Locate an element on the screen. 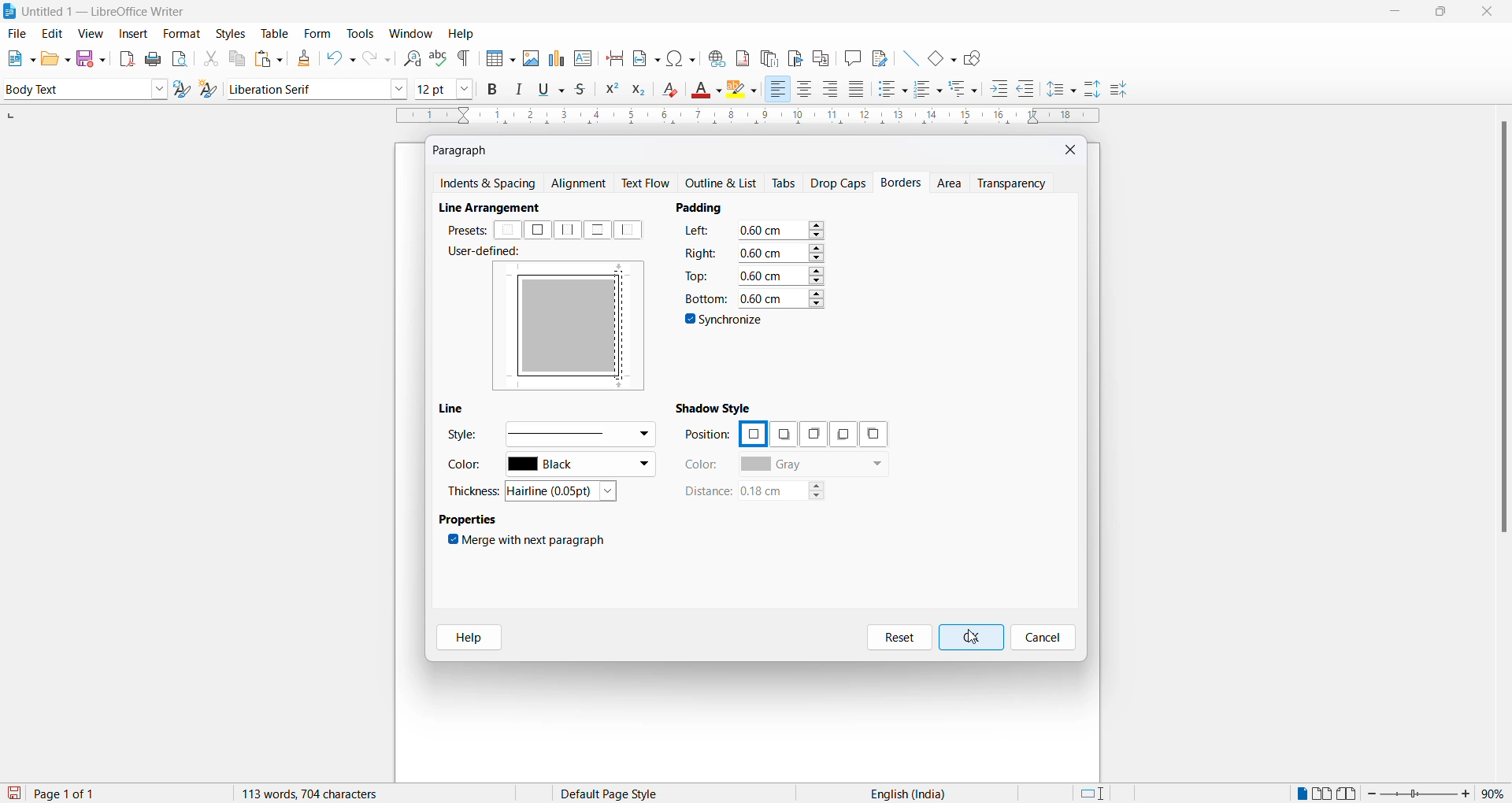 The height and width of the screenshot is (803, 1512). right is located at coordinates (701, 252).